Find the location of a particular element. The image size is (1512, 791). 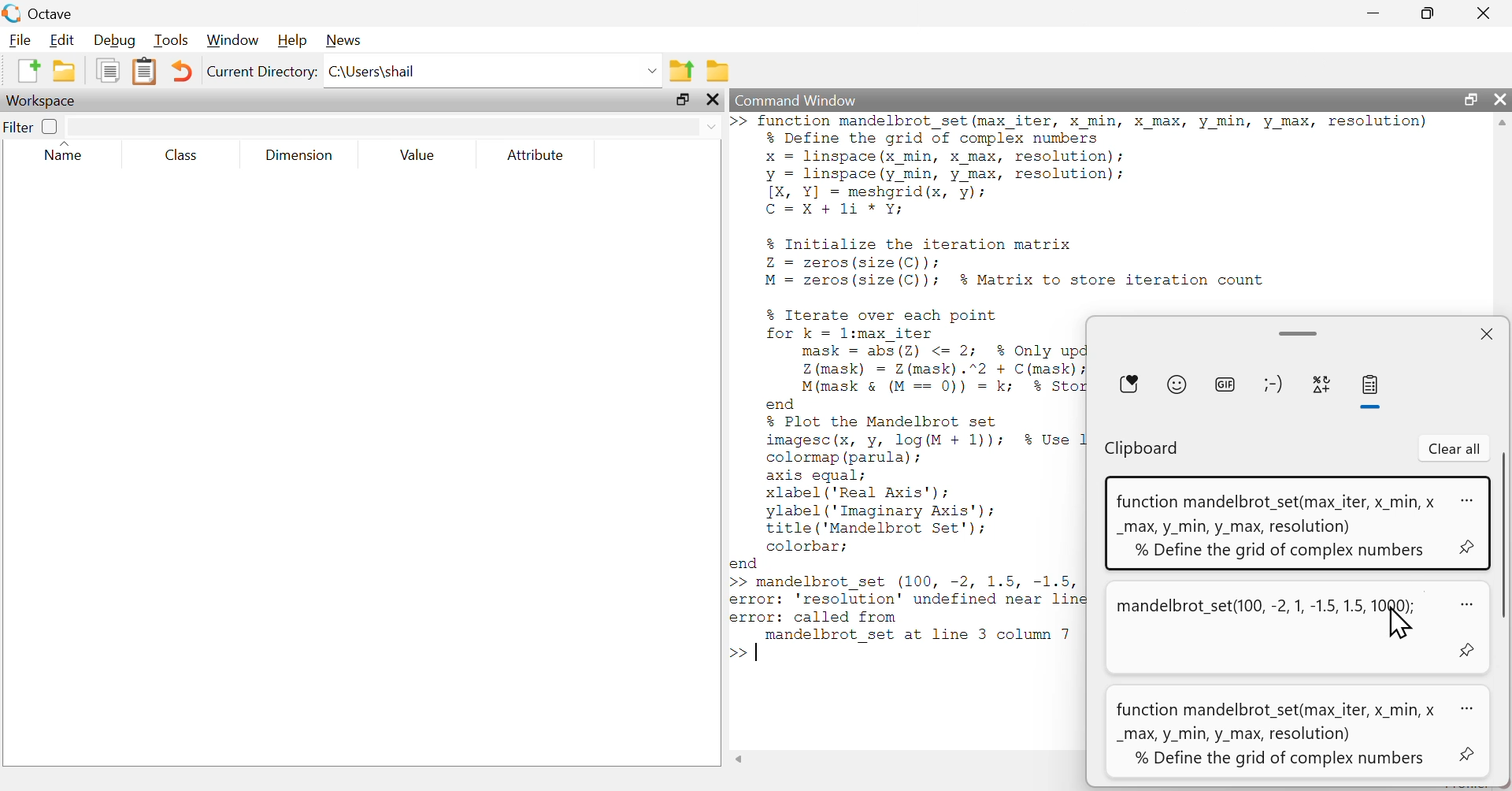

Window is located at coordinates (231, 41).